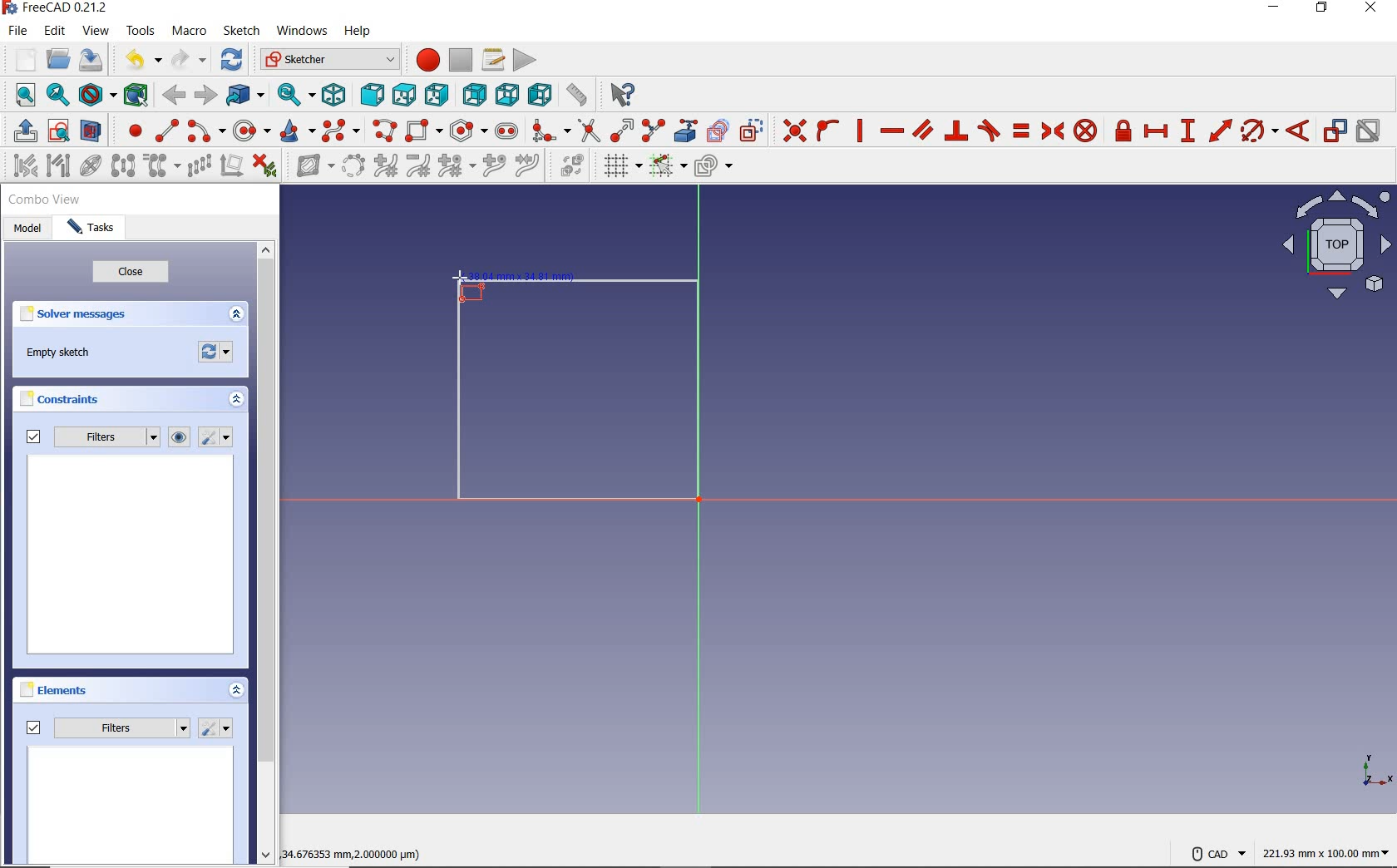 Image resolution: width=1397 pixels, height=868 pixels. What do you see at coordinates (297, 132) in the screenshot?
I see `create conic` at bounding box center [297, 132].